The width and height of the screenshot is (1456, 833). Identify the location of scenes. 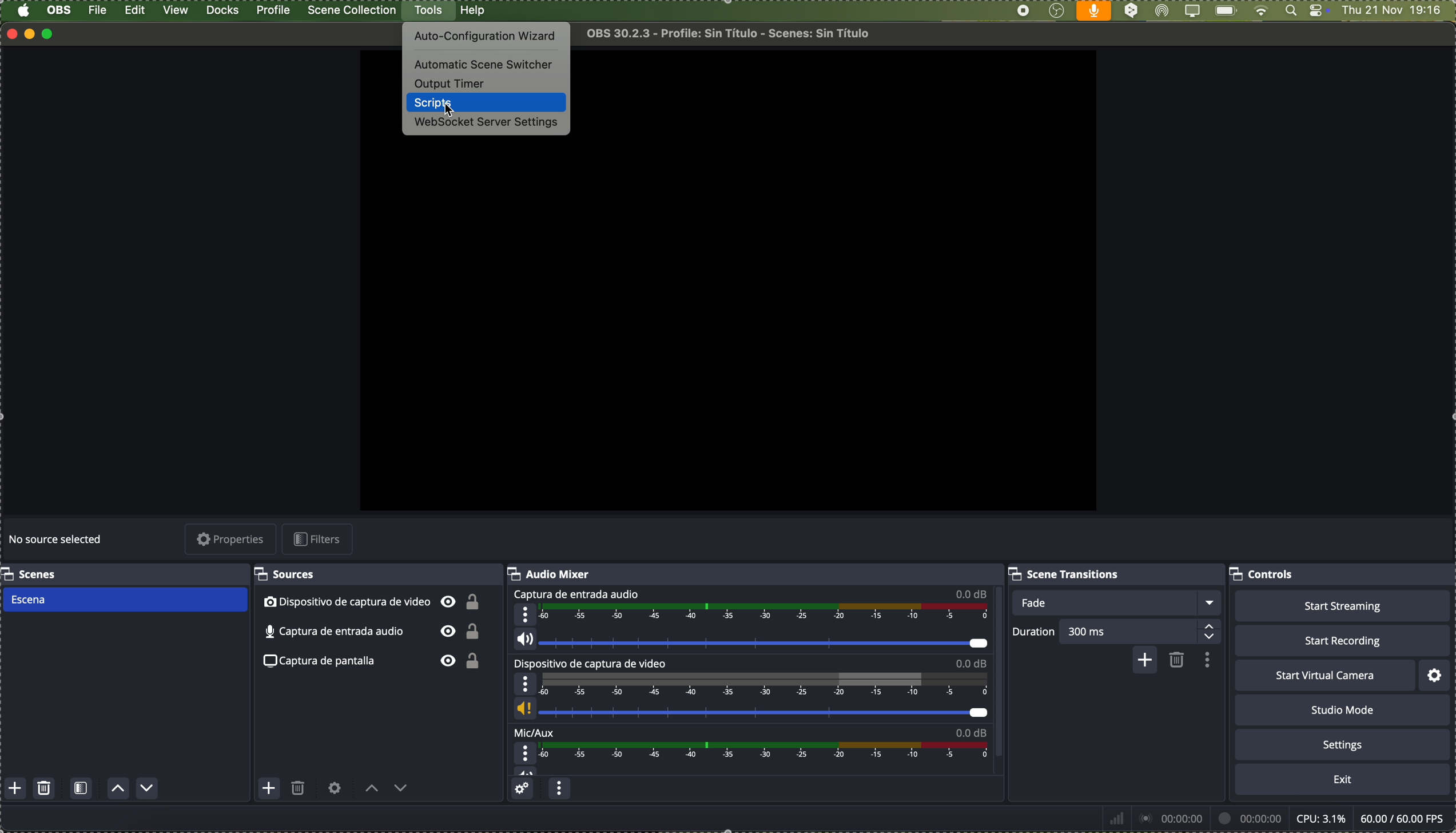
(31, 574).